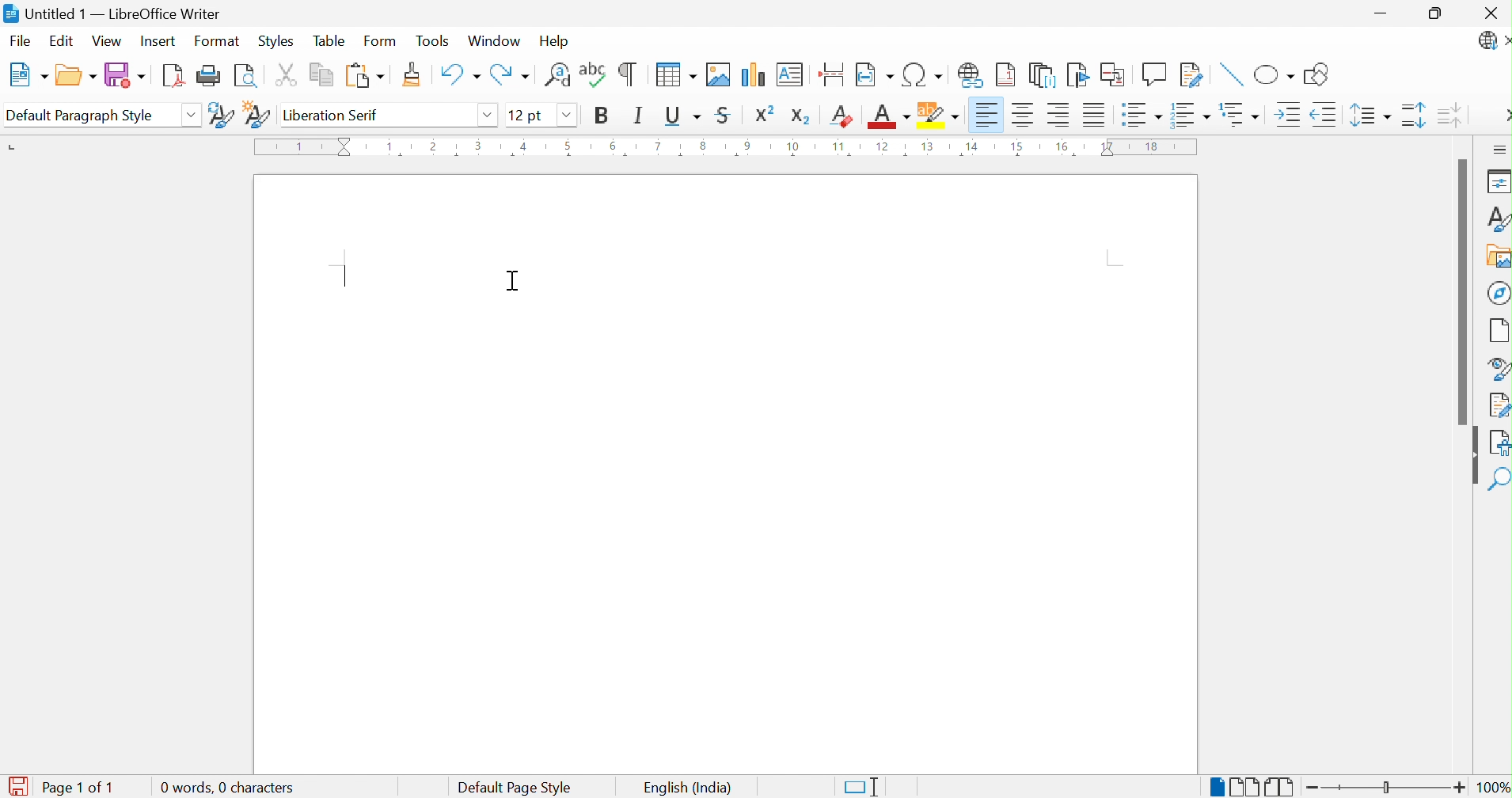  Describe the element at coordinates (1496, 182) in the screenshot. I see `Properties` at that location.